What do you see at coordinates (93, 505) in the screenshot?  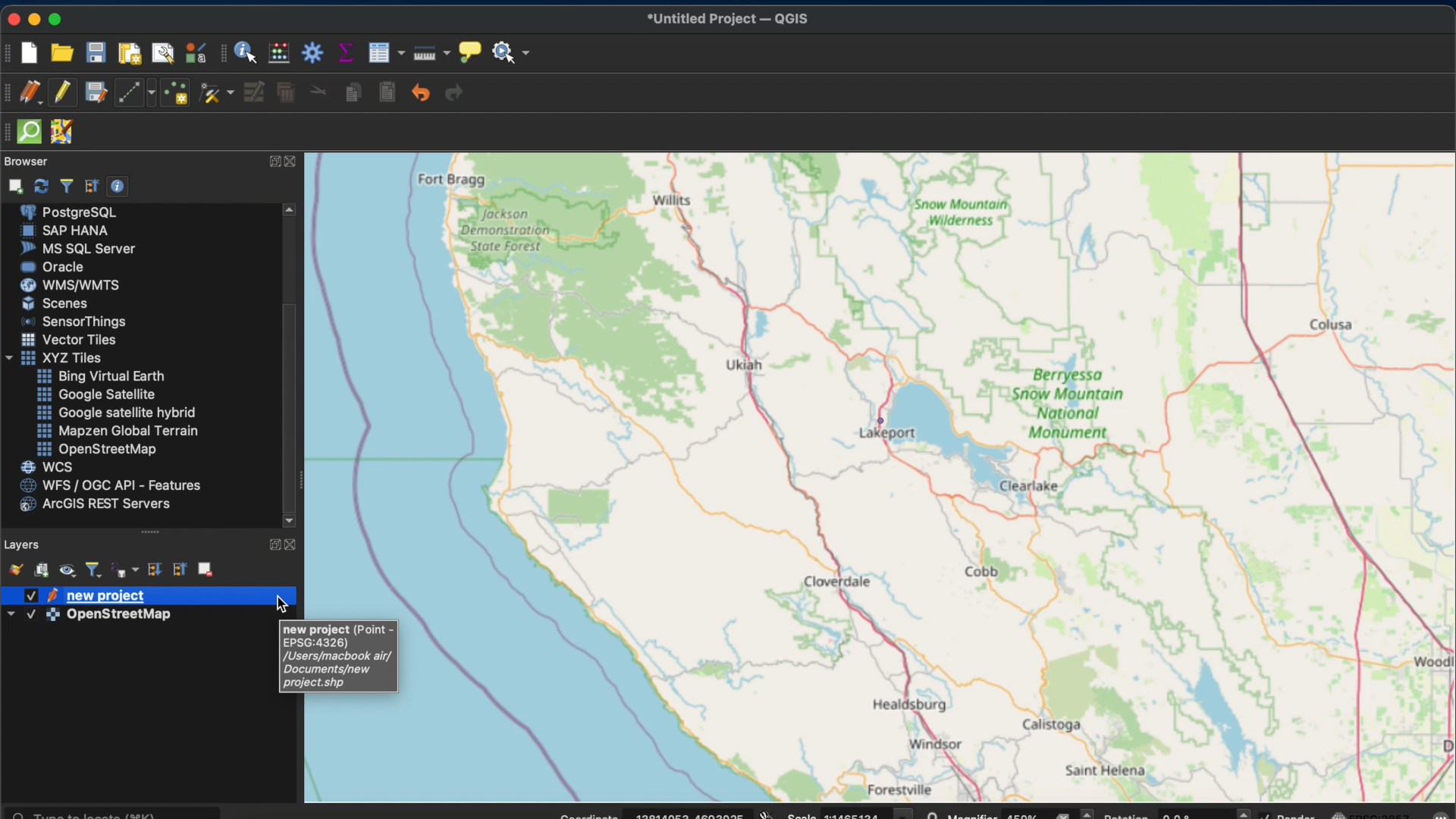 I see `arches rest servers` at bounding box center [93, 505].